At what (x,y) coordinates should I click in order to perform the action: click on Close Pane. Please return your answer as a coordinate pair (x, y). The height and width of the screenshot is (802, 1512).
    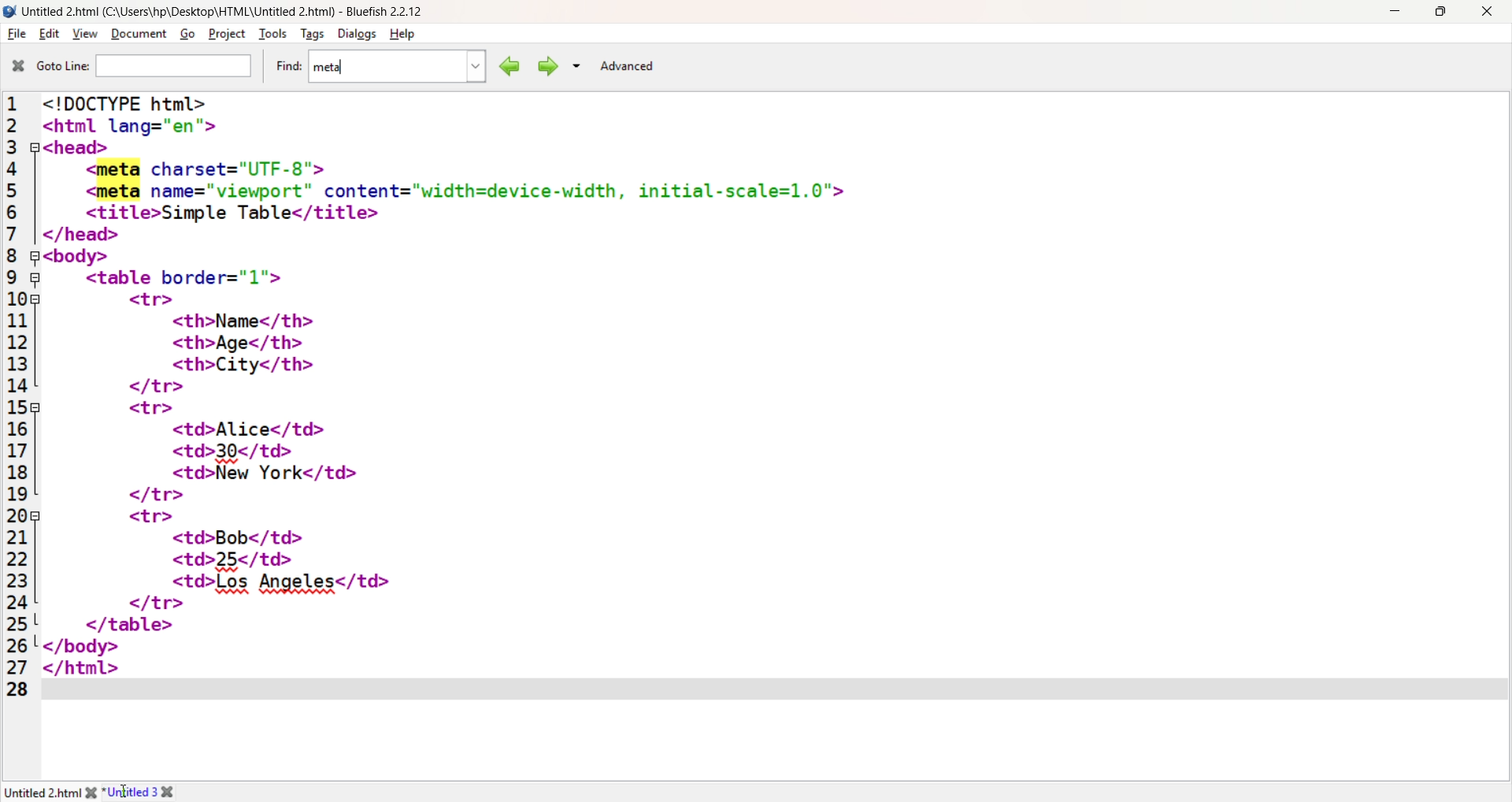
    Looking at the image, I should click on (17, 66).